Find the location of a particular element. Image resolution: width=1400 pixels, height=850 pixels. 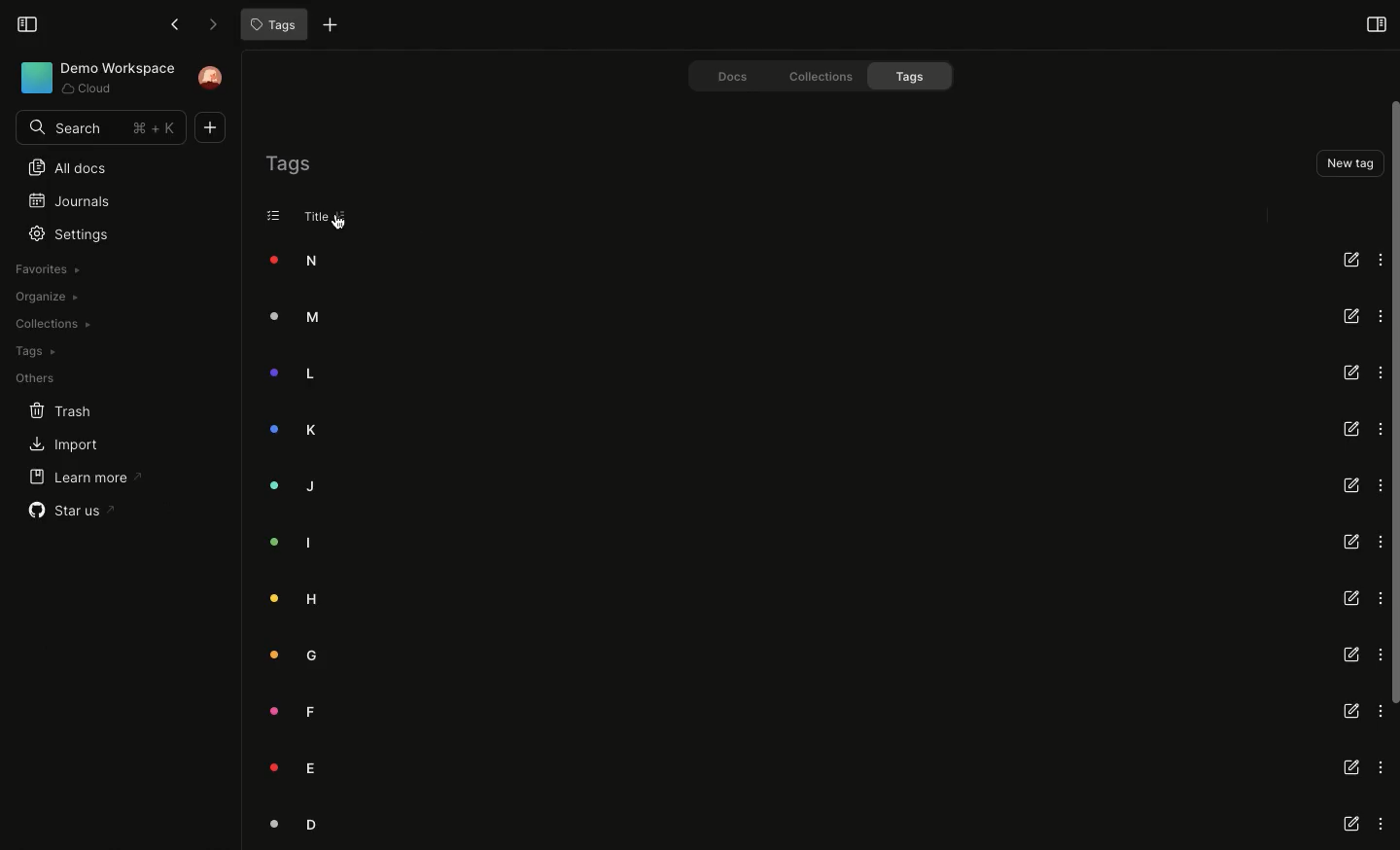

Settings is located at coordinates (73, 233).